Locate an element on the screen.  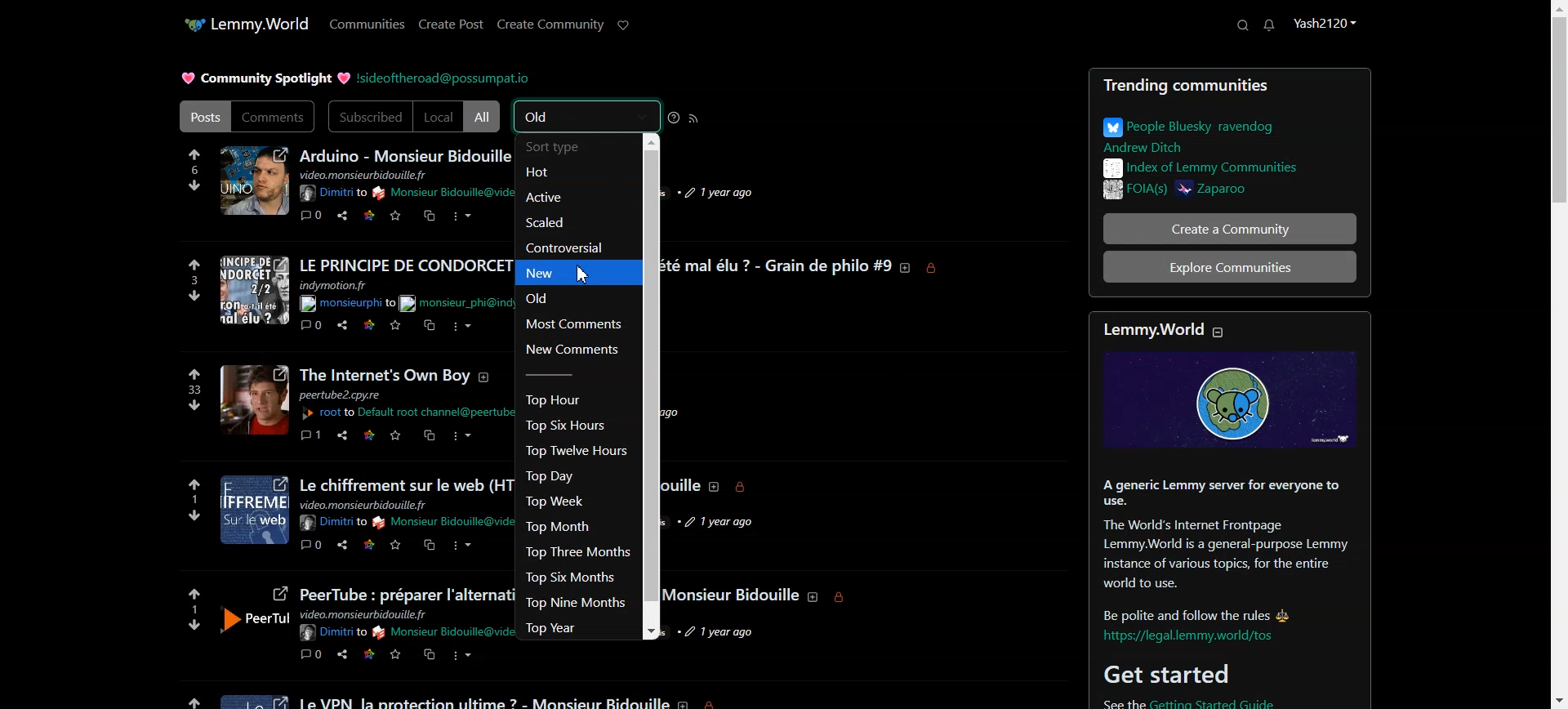
locked is located at coordinates (719, 703).